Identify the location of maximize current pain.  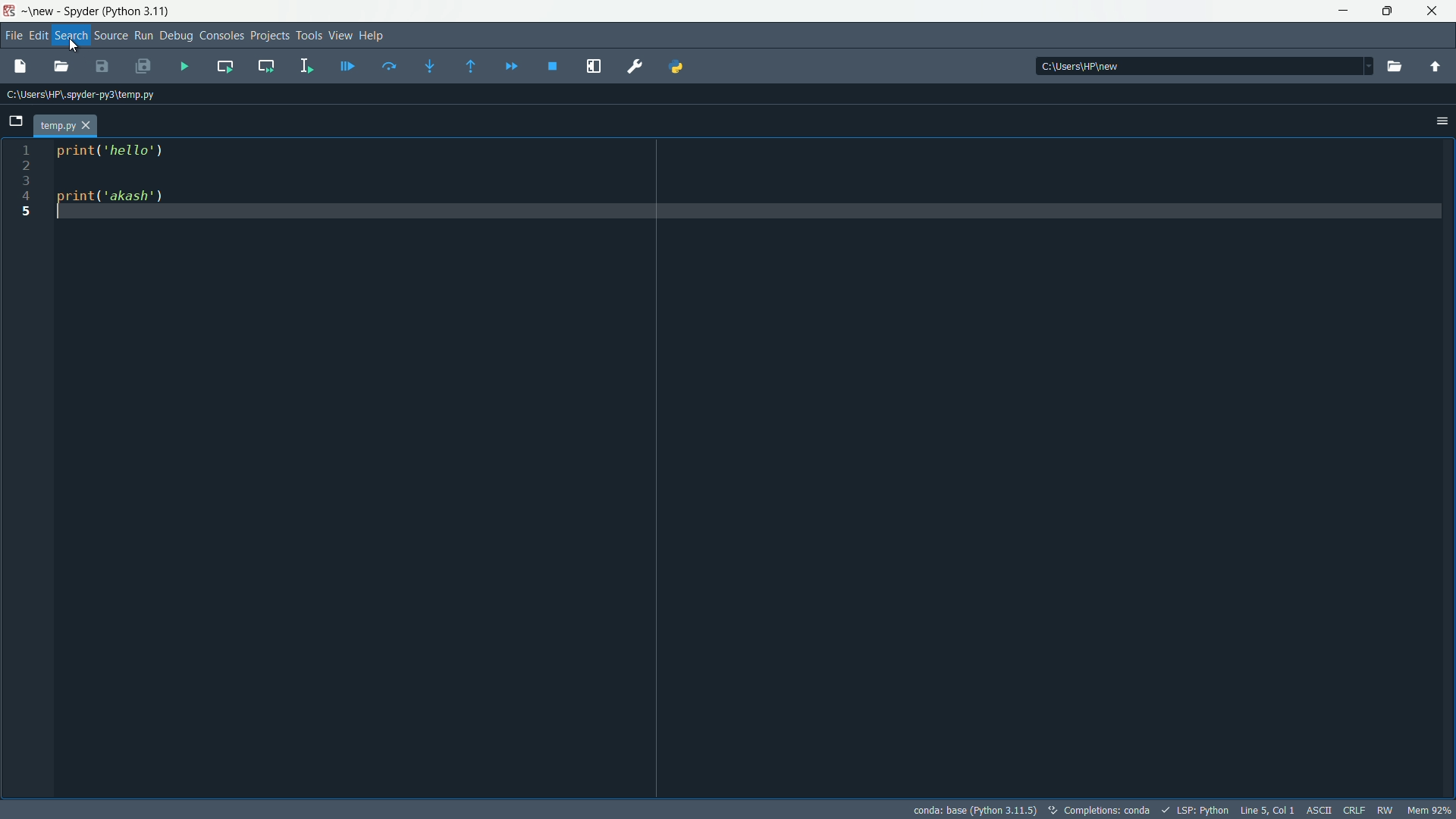
(591, 65).